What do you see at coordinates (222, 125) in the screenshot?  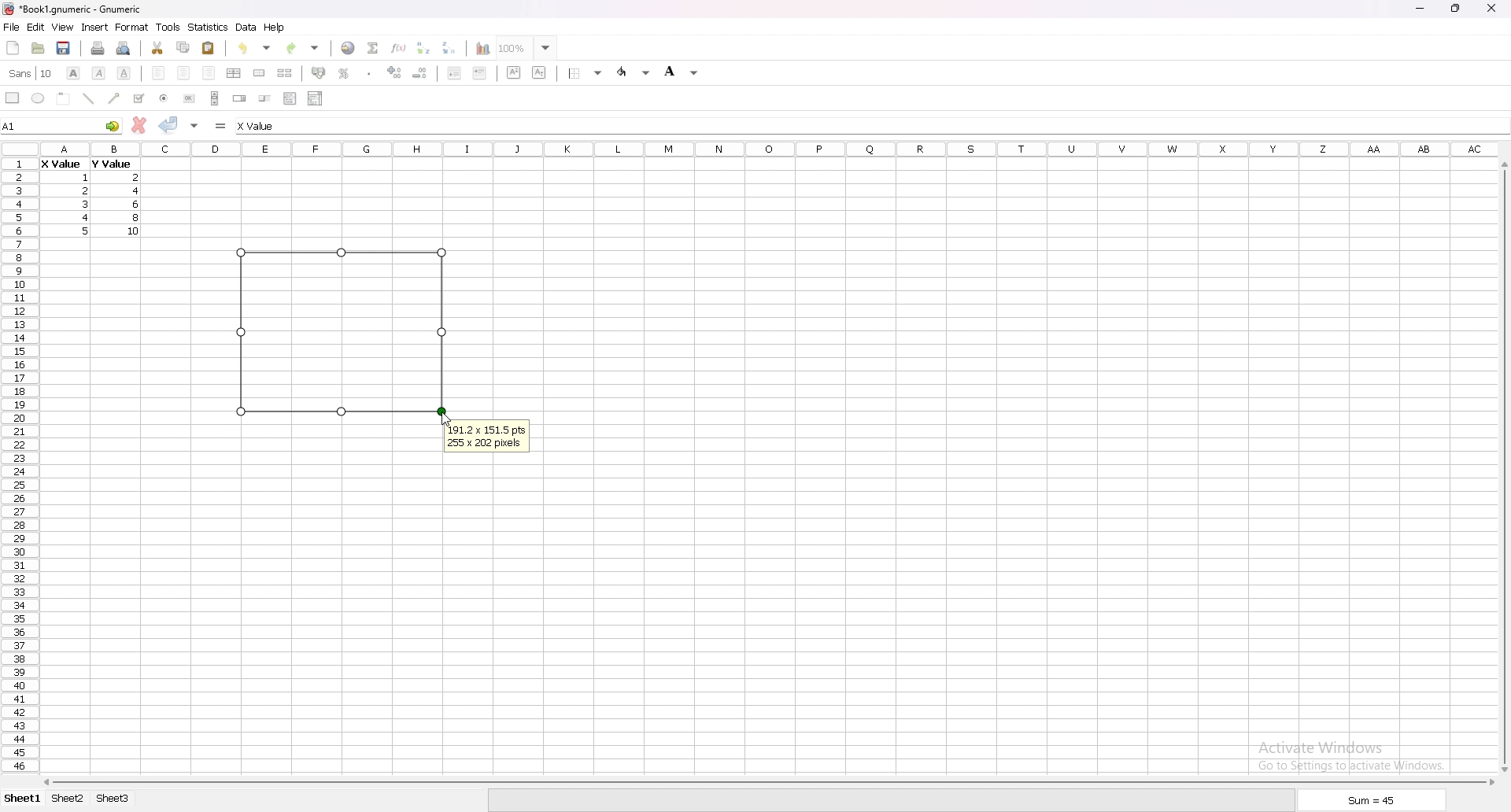 I see `formula` at bounding box center [222, 125].